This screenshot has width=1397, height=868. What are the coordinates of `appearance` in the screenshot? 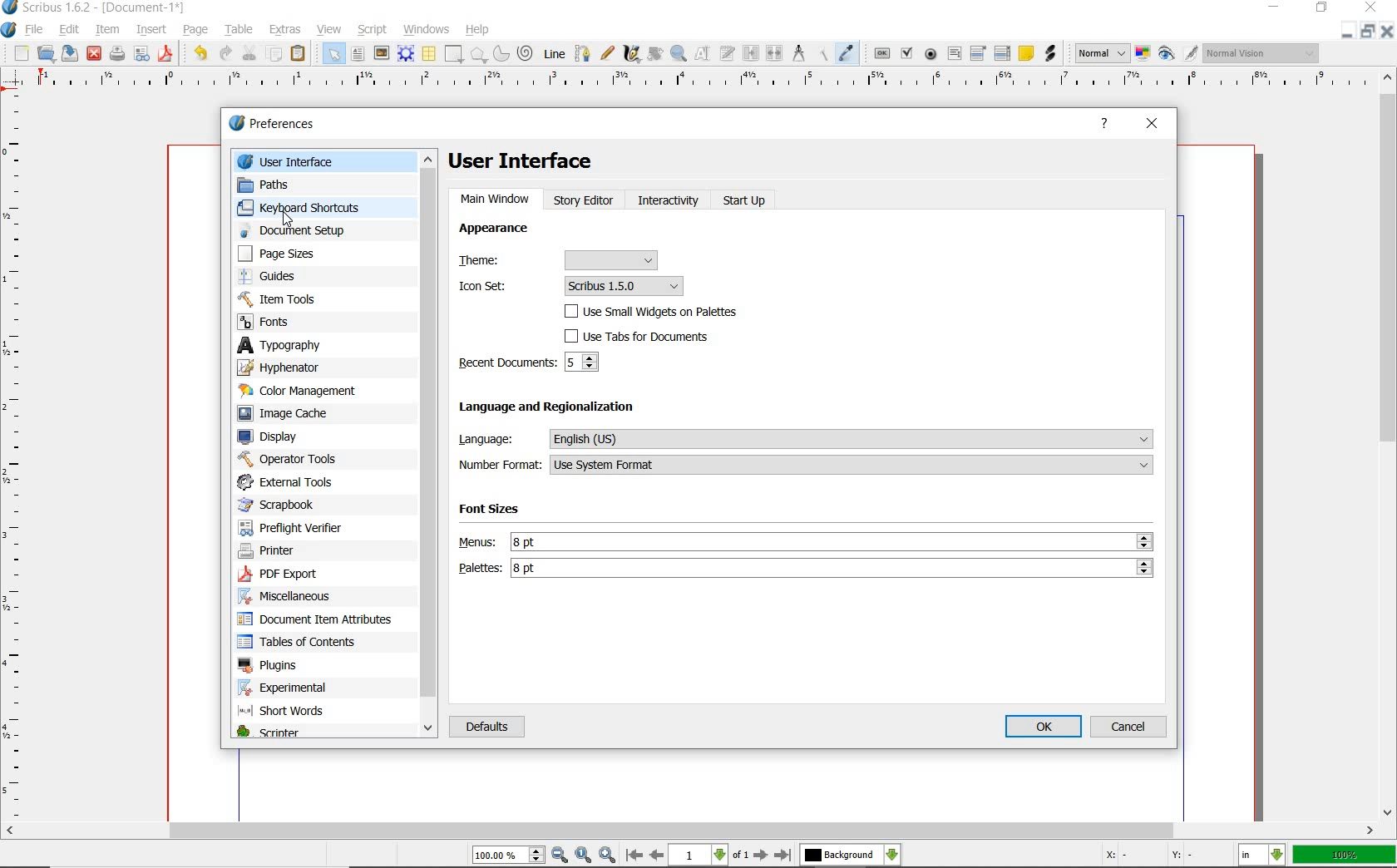 It's located at (517, 232).